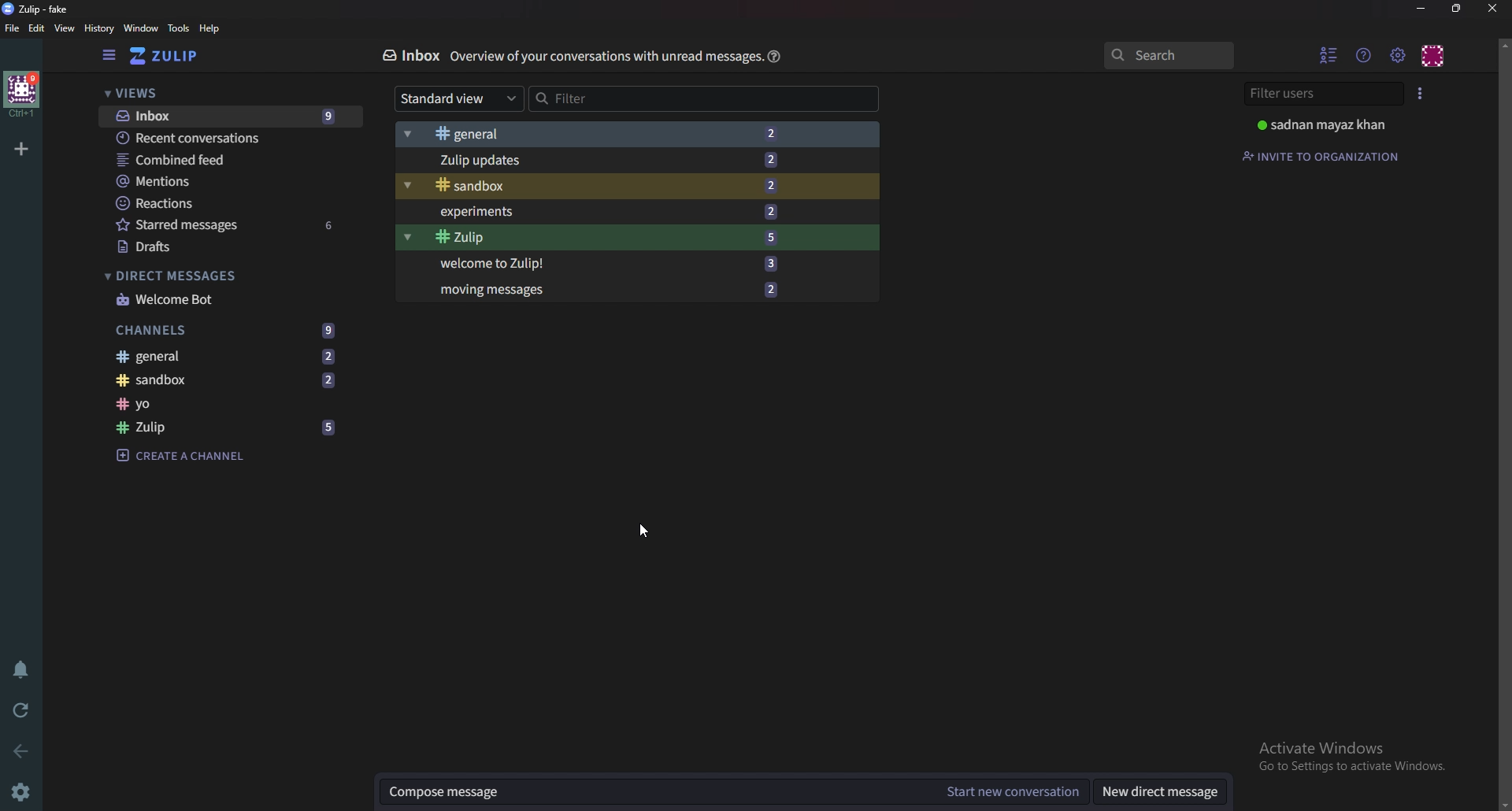 The width and height of the screenshot is (1512, 811). Describe the element at coordinates (20, 671) in the screenshot. I see `Enable do not disturb` at that location.